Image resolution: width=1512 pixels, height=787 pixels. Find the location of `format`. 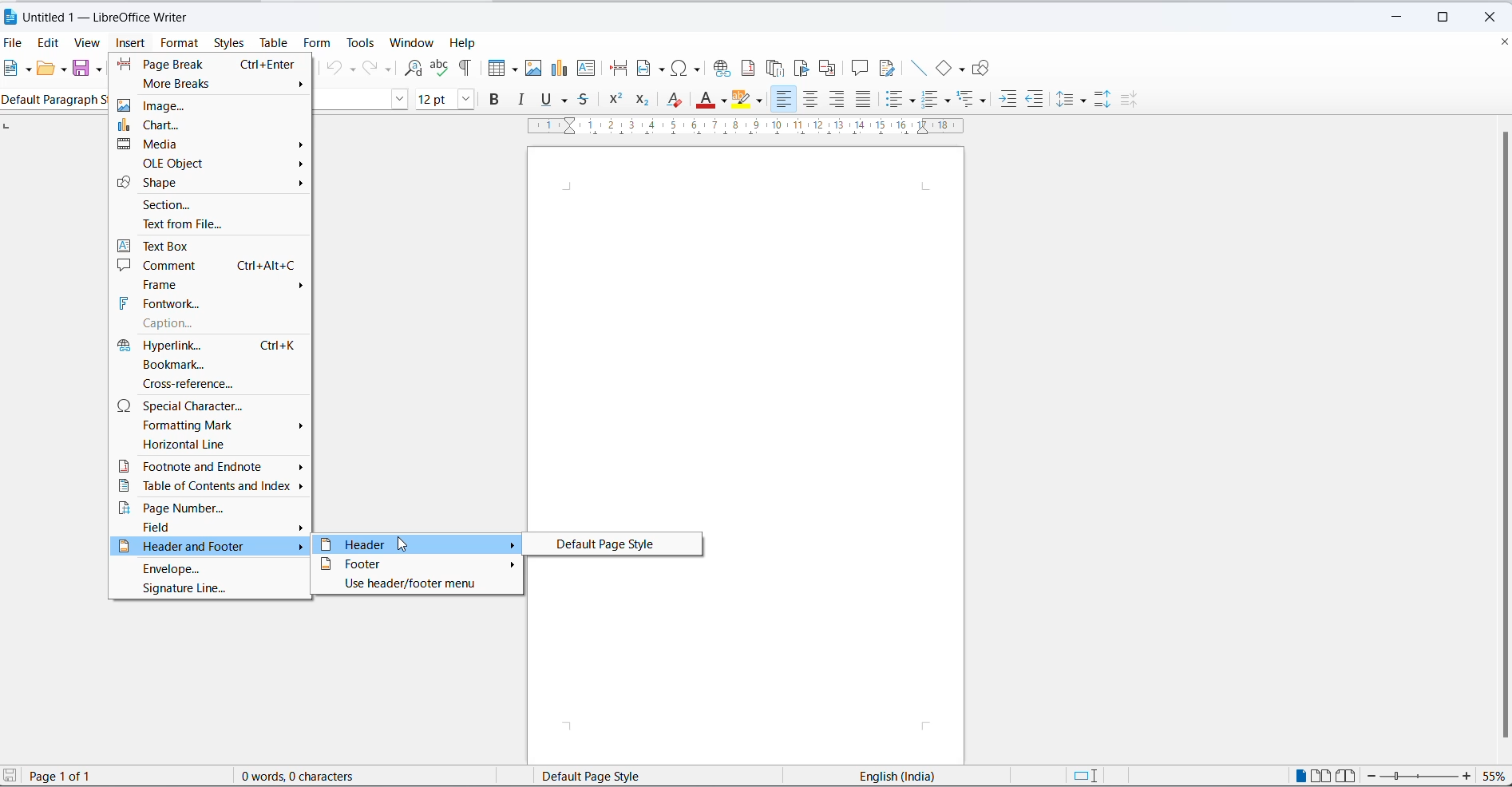

format is located at coordinates (177, 43).